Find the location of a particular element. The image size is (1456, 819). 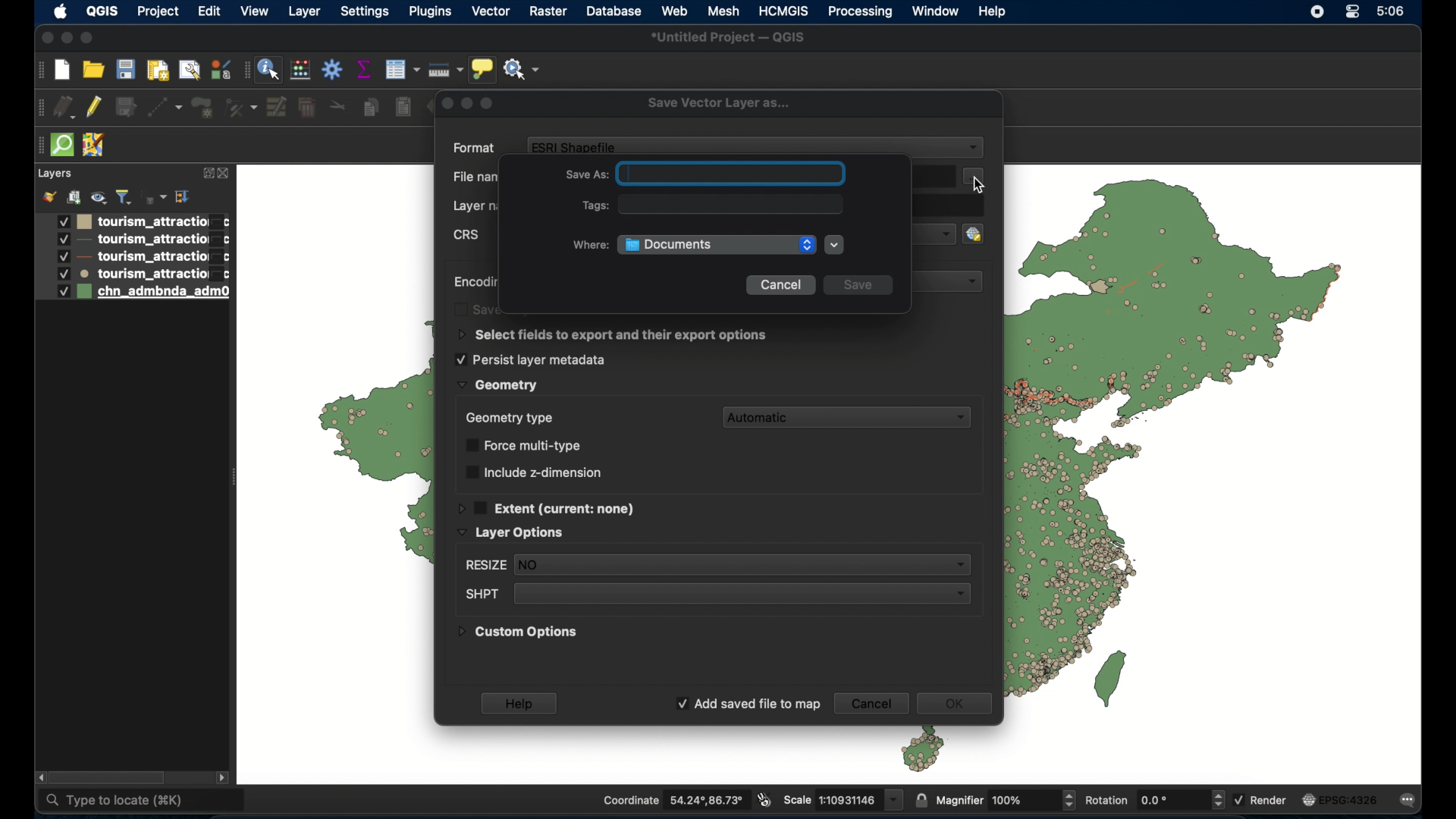

select fields to export options is located at coordinates (613, 335).